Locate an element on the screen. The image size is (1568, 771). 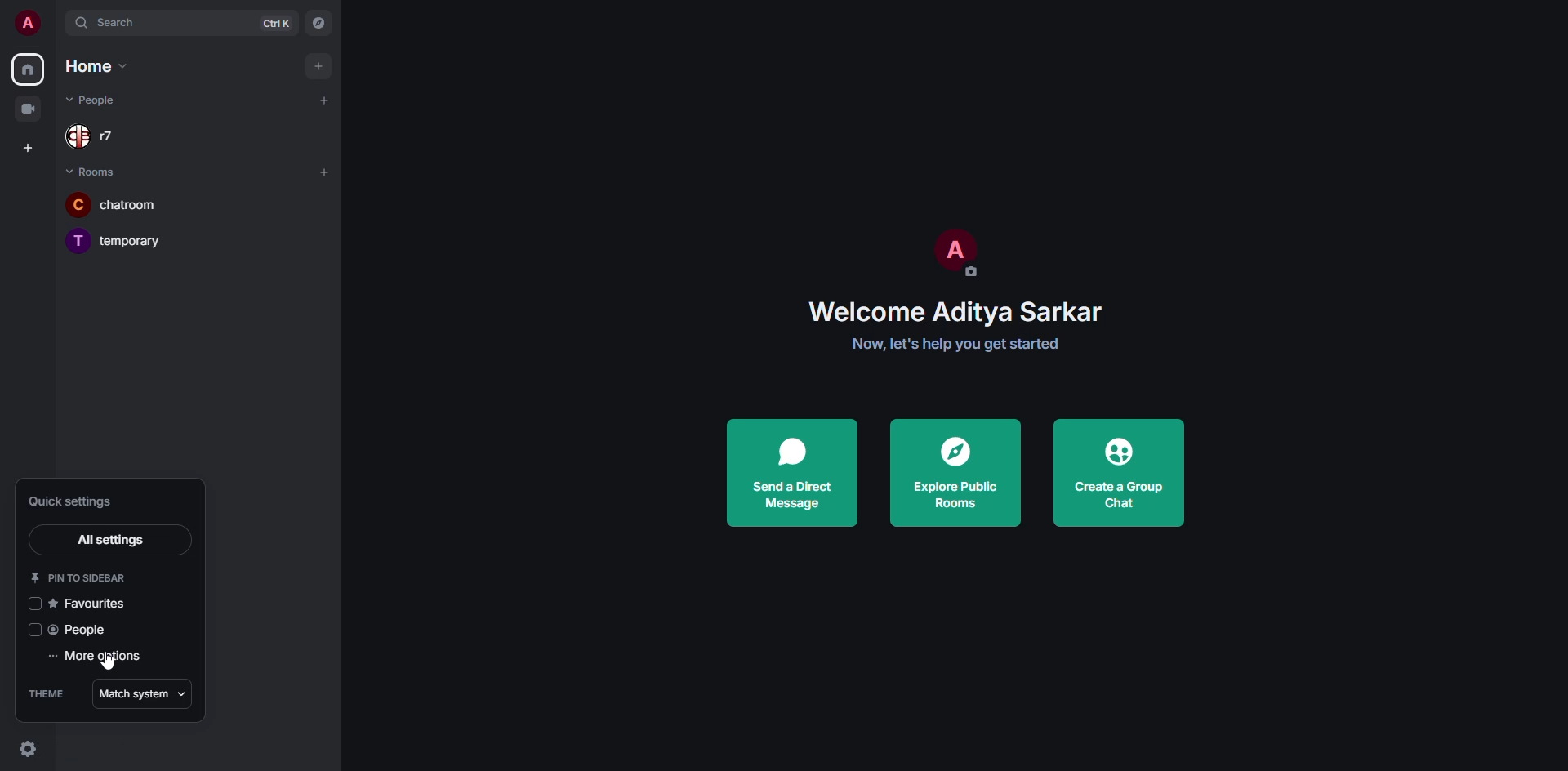
explore public rooms is located at coordinates (954, 470).